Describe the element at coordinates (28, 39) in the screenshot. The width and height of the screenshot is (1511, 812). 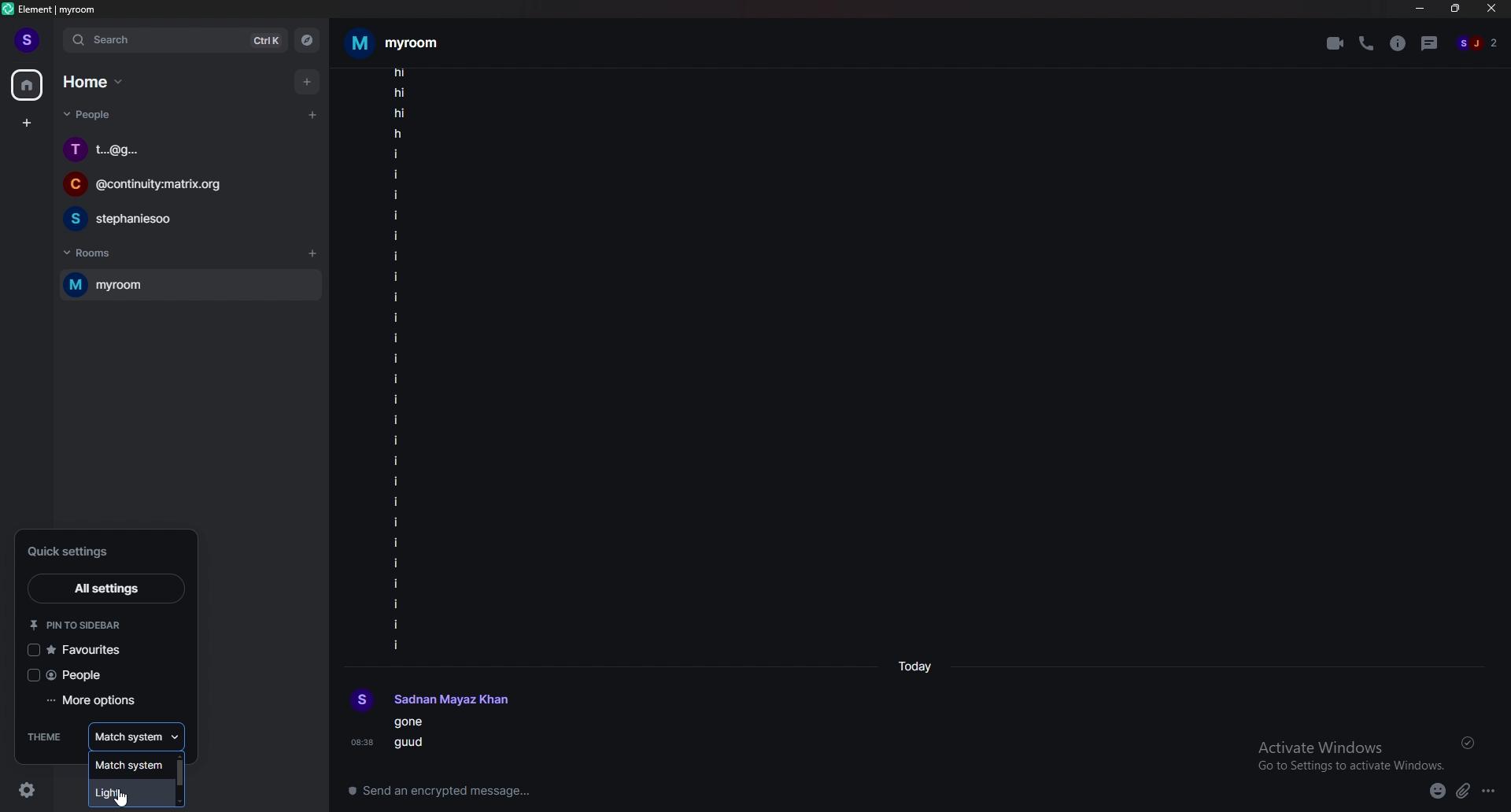
I see `profile` at that location.